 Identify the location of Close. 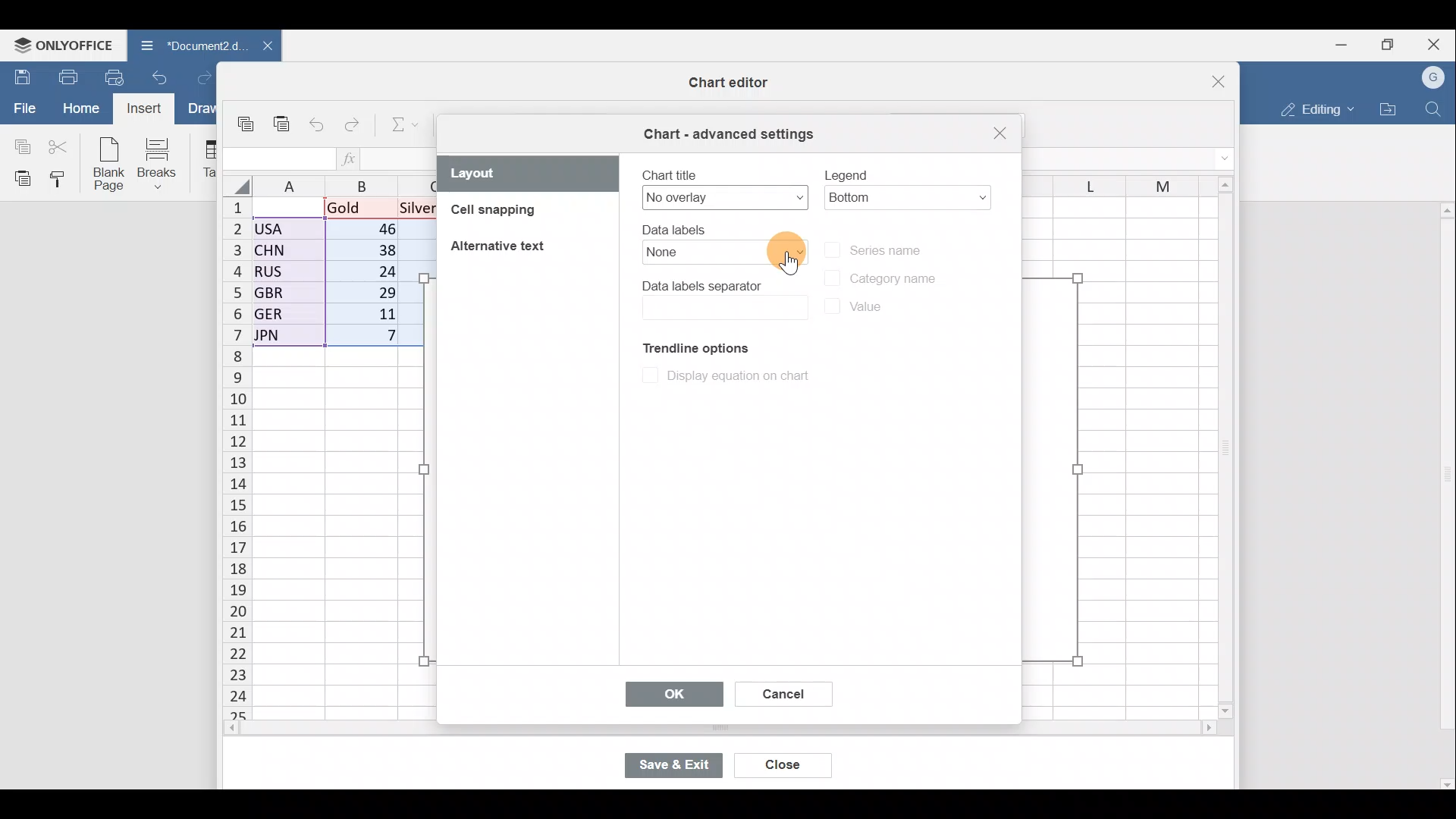
(998, 134).